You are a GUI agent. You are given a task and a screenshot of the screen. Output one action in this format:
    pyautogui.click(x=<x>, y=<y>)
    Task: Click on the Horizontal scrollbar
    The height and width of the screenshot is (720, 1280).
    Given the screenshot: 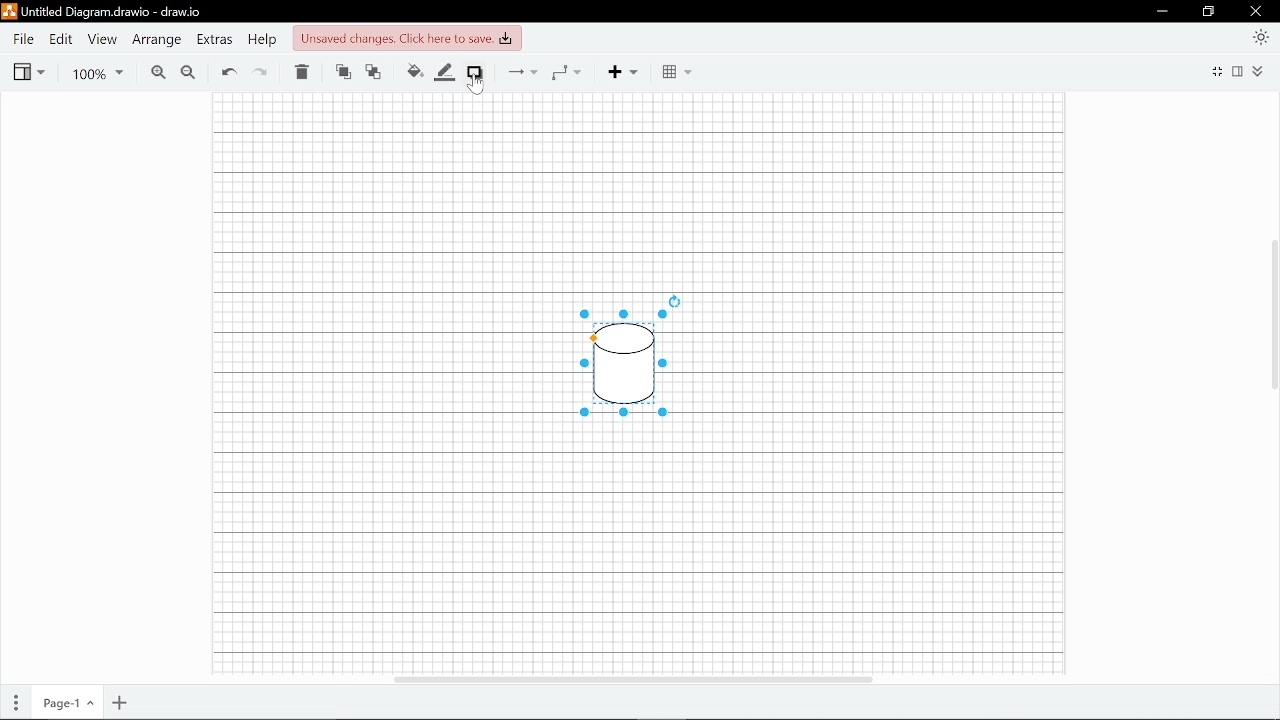 What is the action you would take?
    pyautogui.click(x=633, y=678)
    